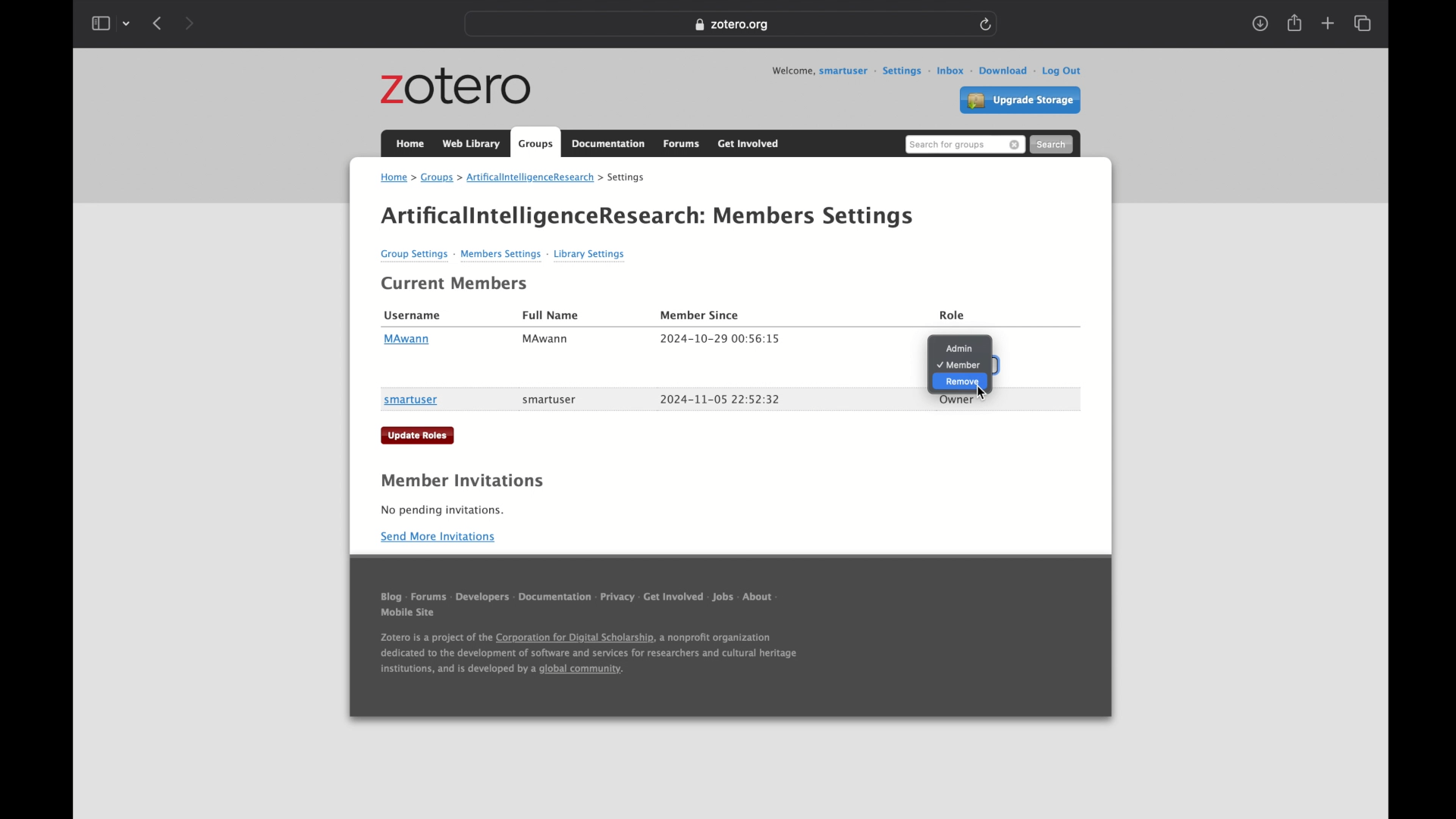 The height and width of the screenshot is (819, 1456). What do you see at coordinates (1364, 24) in the screenshot?
I see `show tab overview` at bounding box center [1364, 24].